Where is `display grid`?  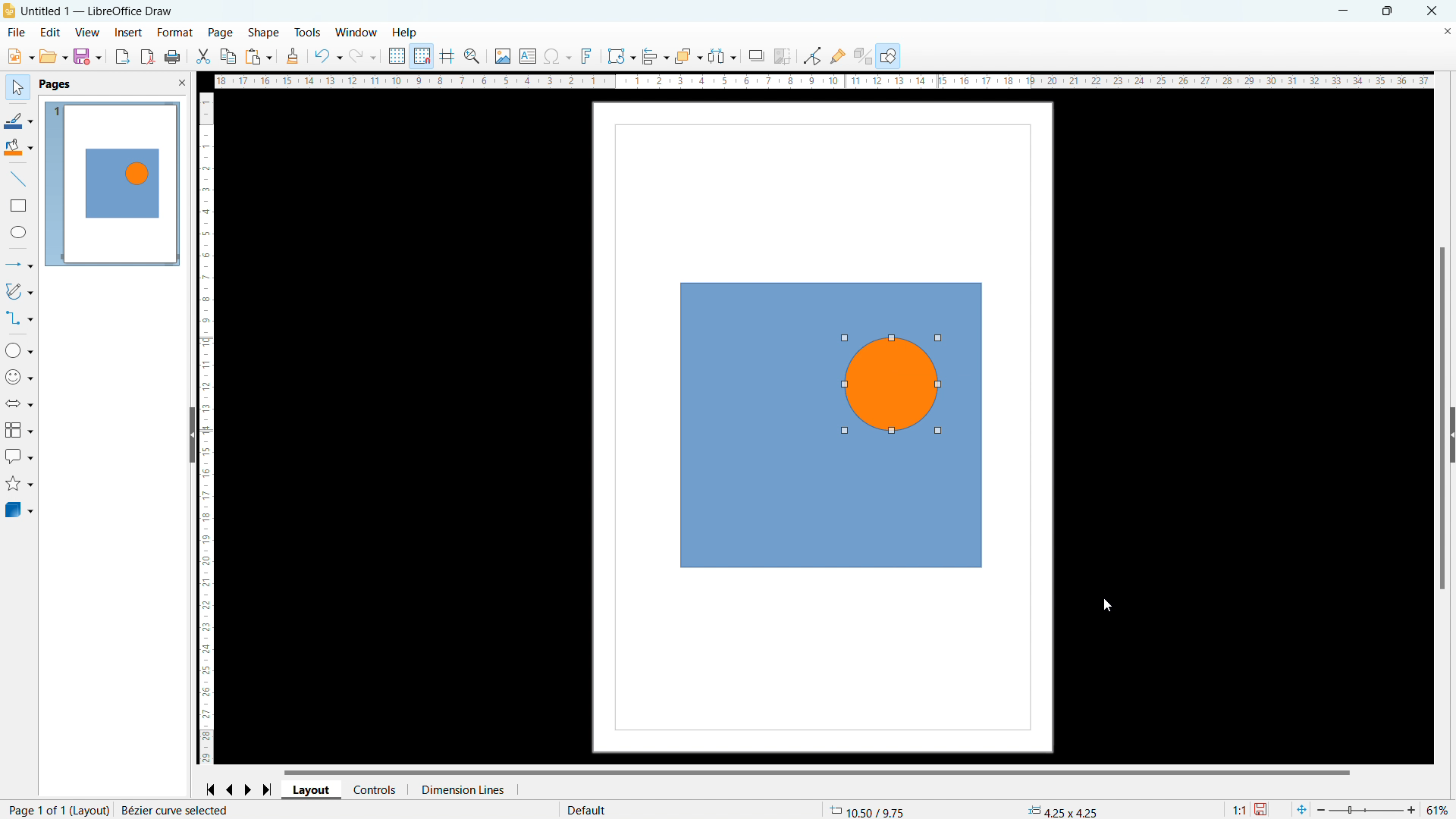
display grid is located at coordinates (396, 56).